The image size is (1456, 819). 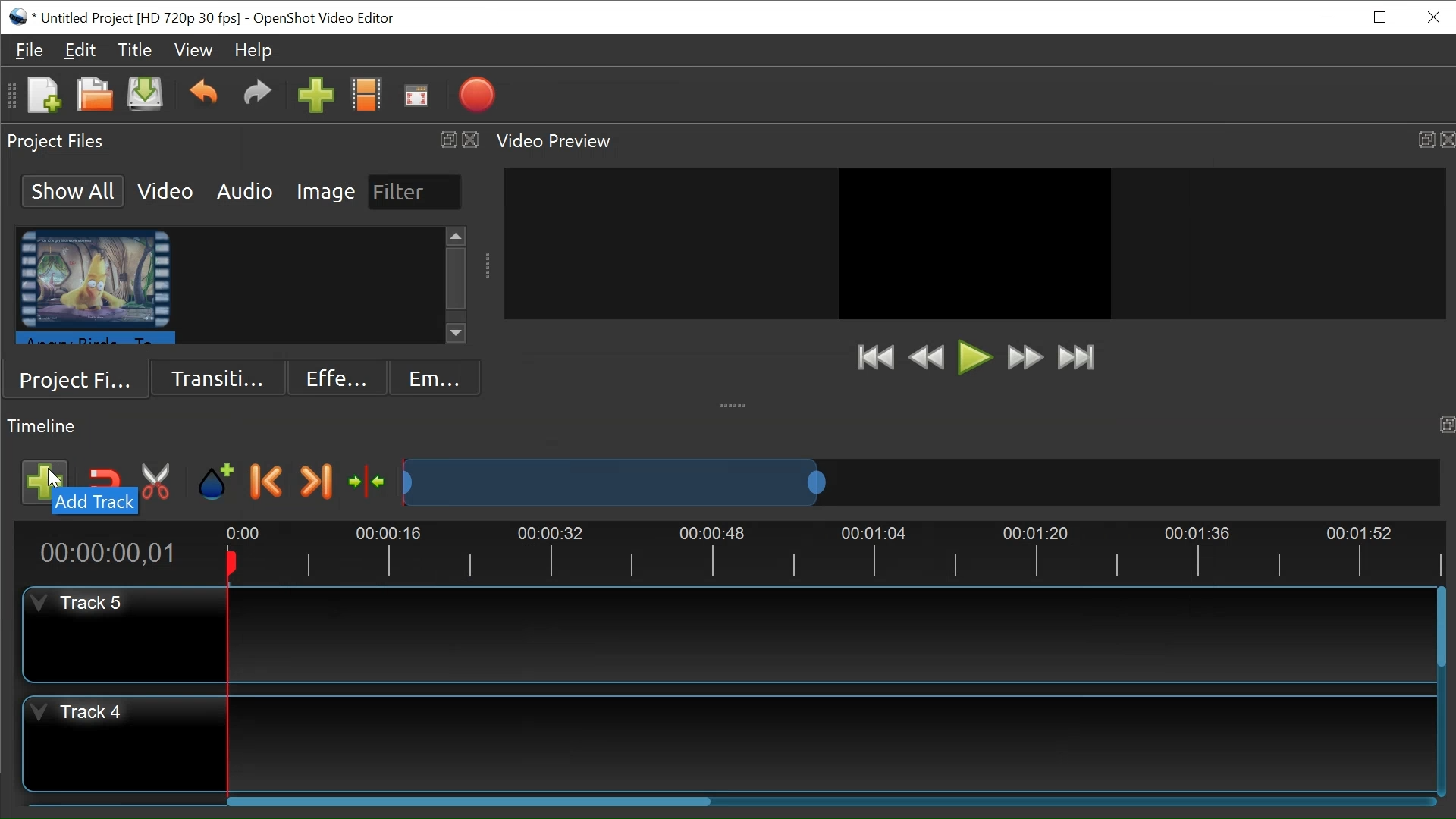 I want to click on Track Panel, so click(x=833, y=742).